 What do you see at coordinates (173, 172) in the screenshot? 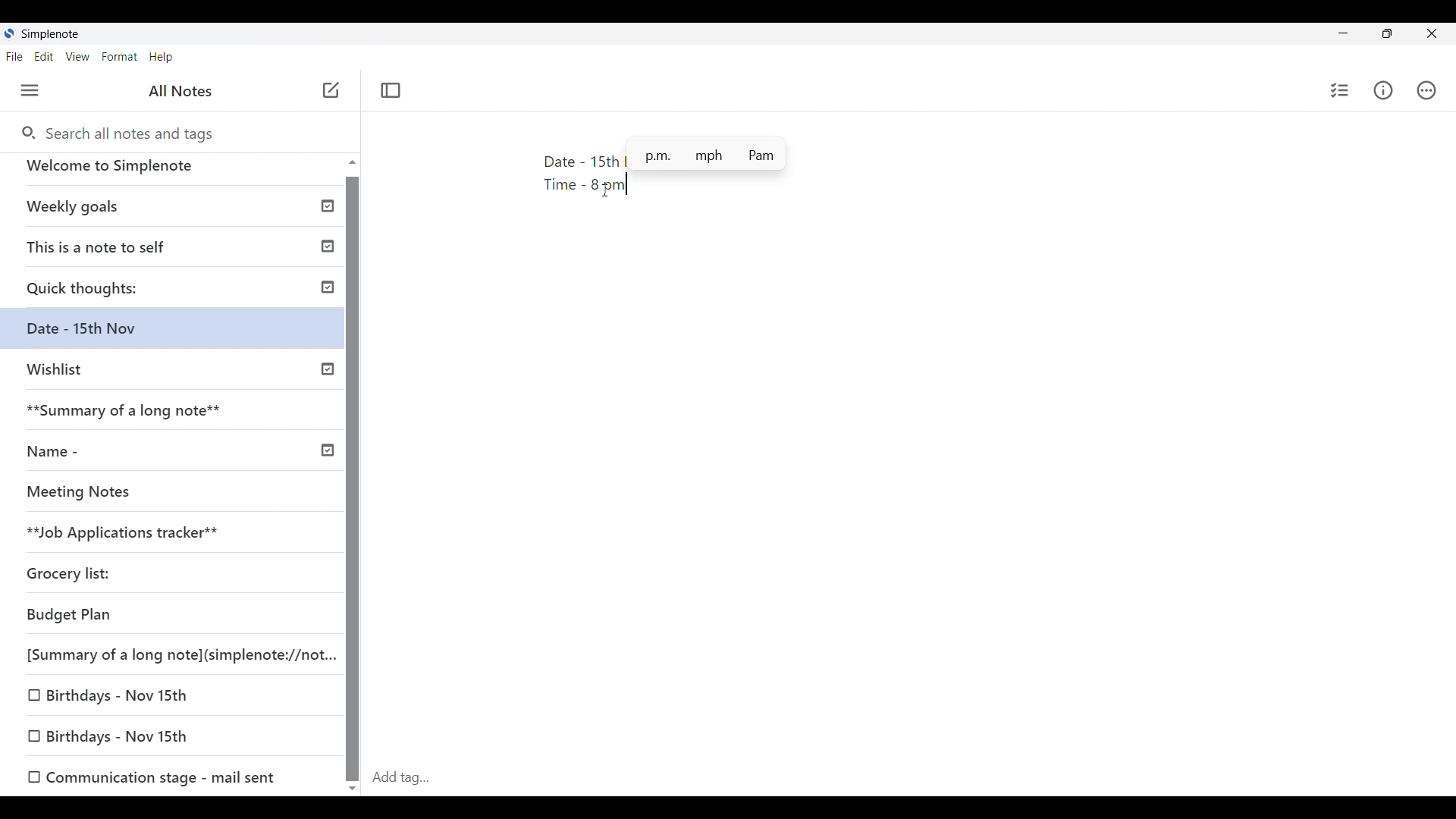
I see `Welcome note from software, current highlighted note` at bounding box center [173, 172].